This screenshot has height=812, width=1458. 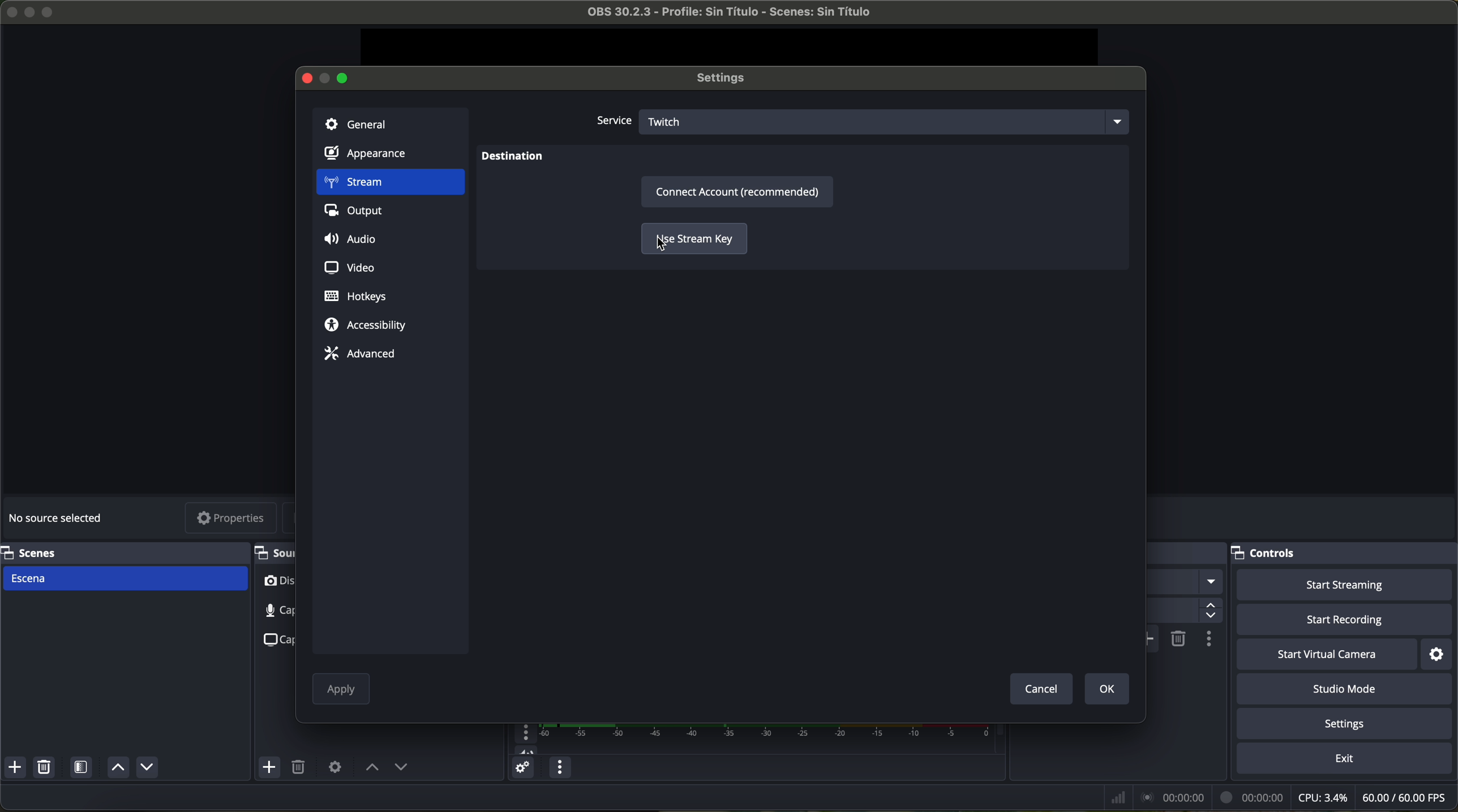 What do you see at coordinates (366, 326) in the screenshot?
I see `accessibility` at bounding box center [366, 326].